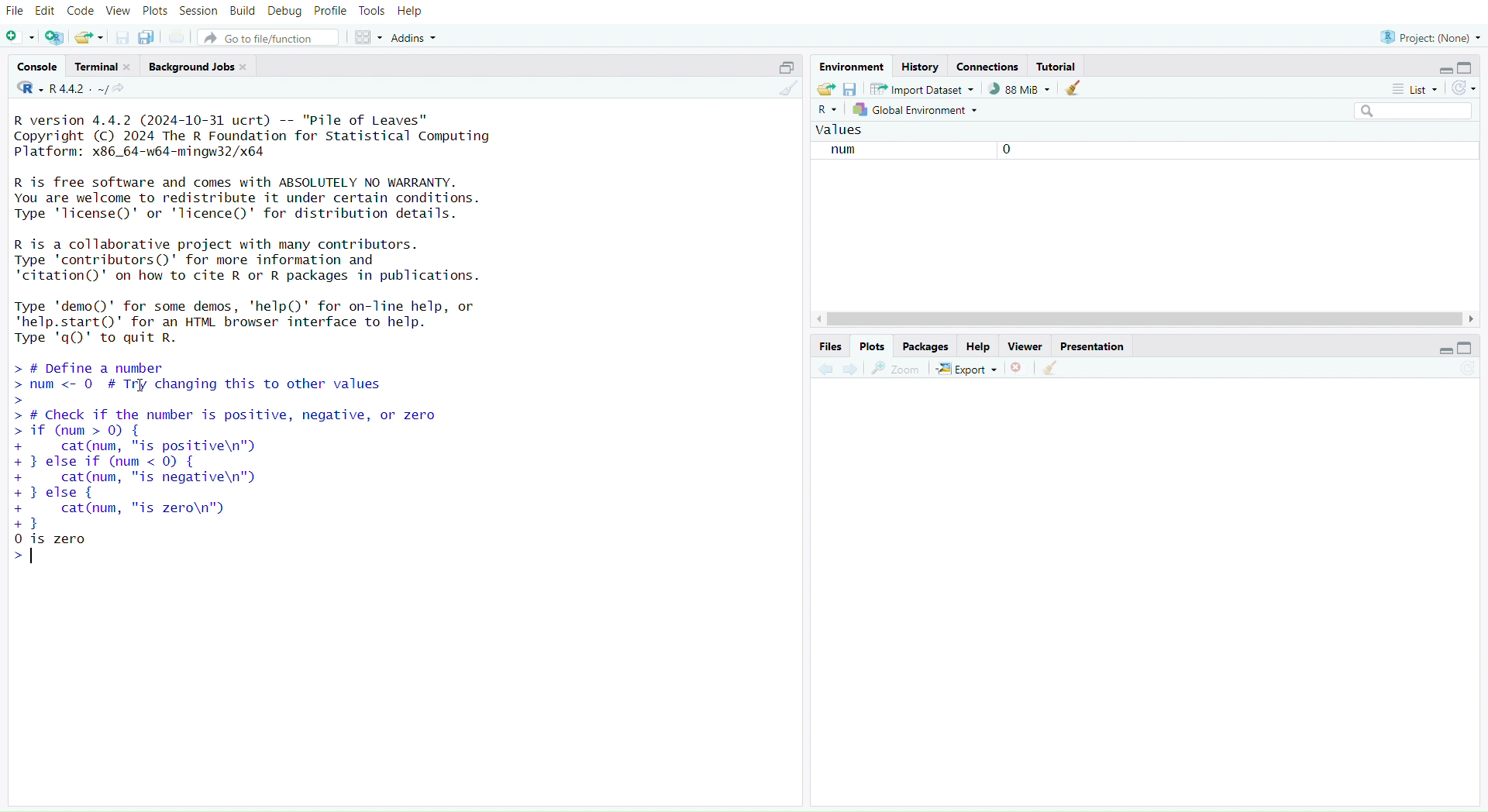 This screenshot has height=812, width=1488. Describe the element at coordinates (1019, 89) in the screenshot. I see `88 mib` at that location.